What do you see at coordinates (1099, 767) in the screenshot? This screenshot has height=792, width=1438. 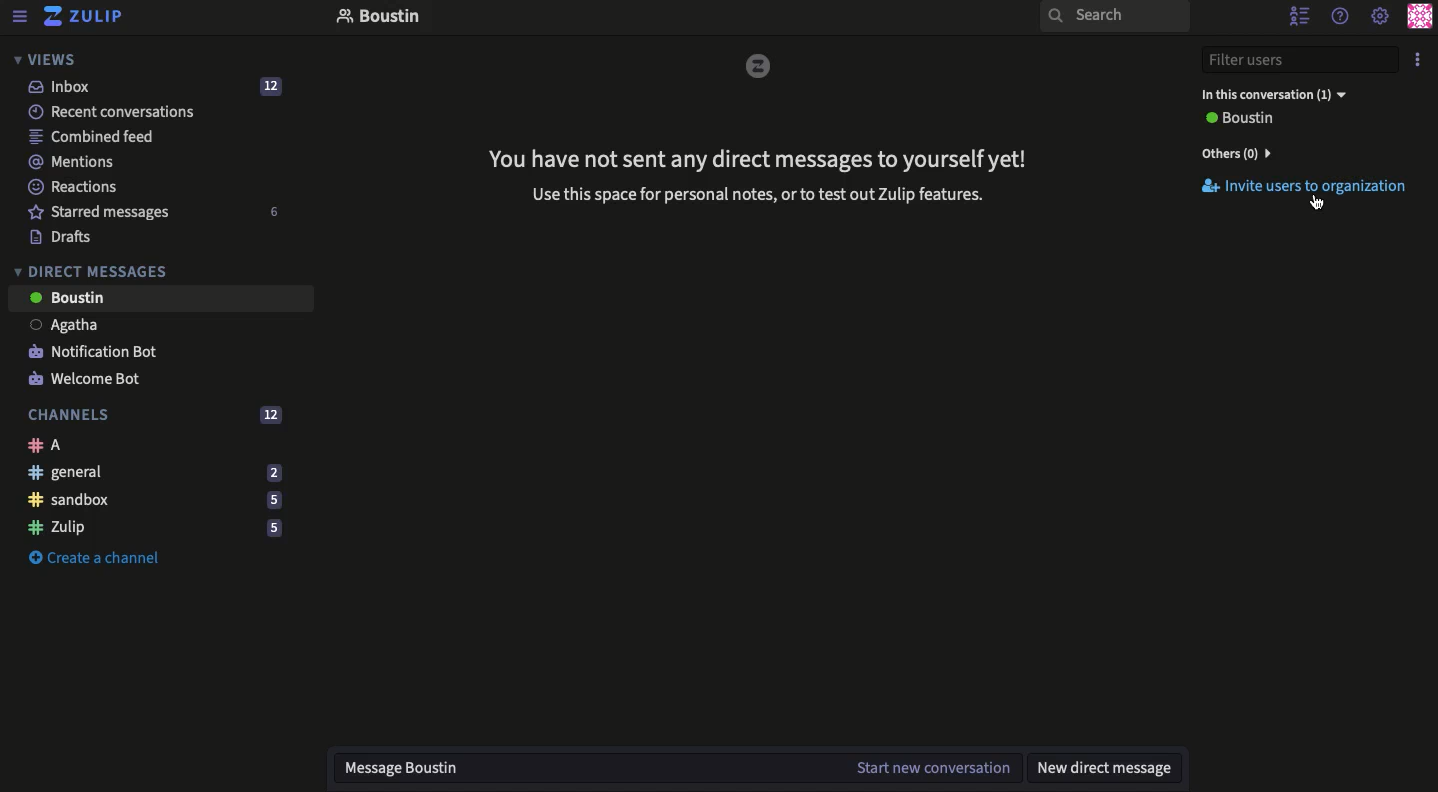 I see `New DM` at bounding box center [1099, 767].